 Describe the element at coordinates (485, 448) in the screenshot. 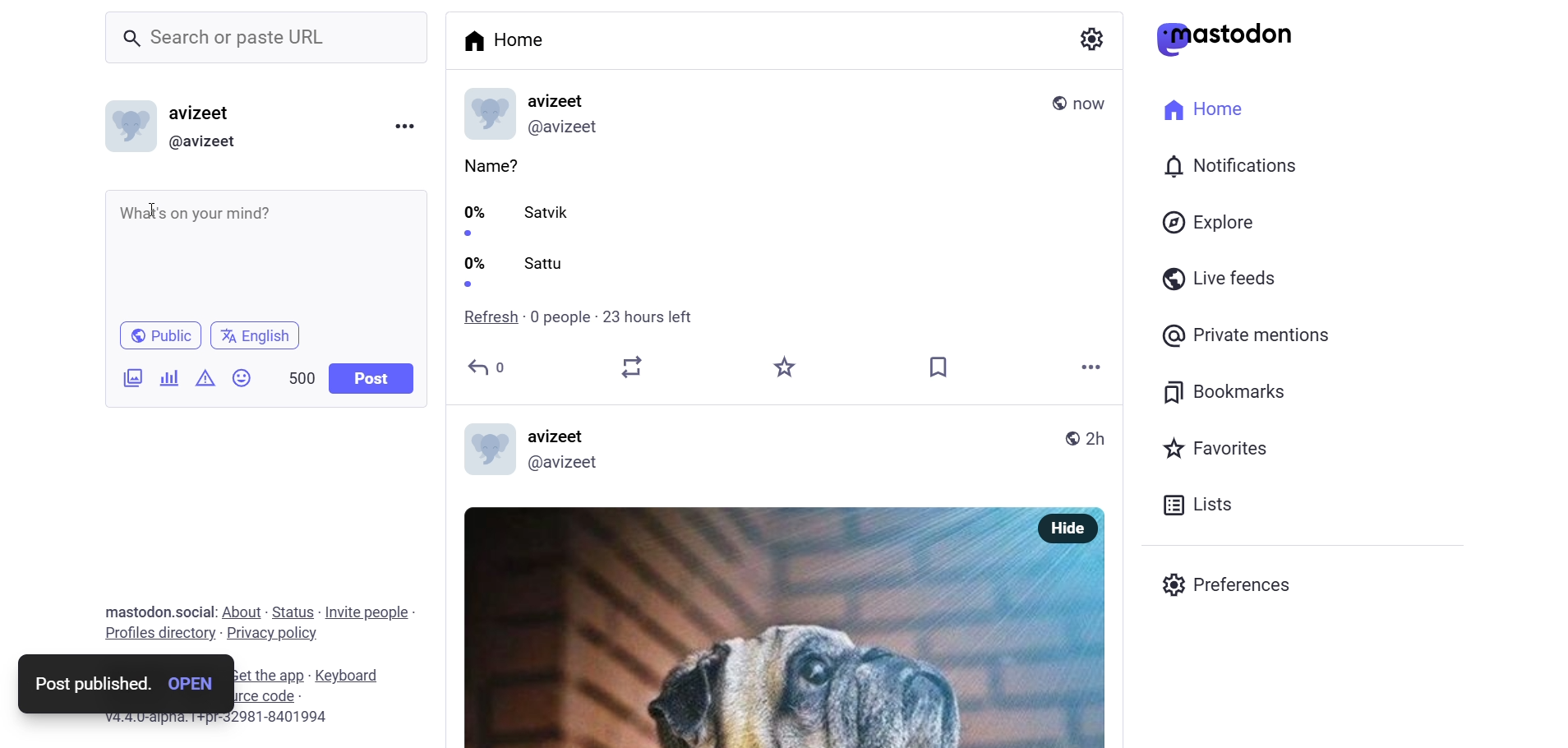

I see `profile picture` at that location.